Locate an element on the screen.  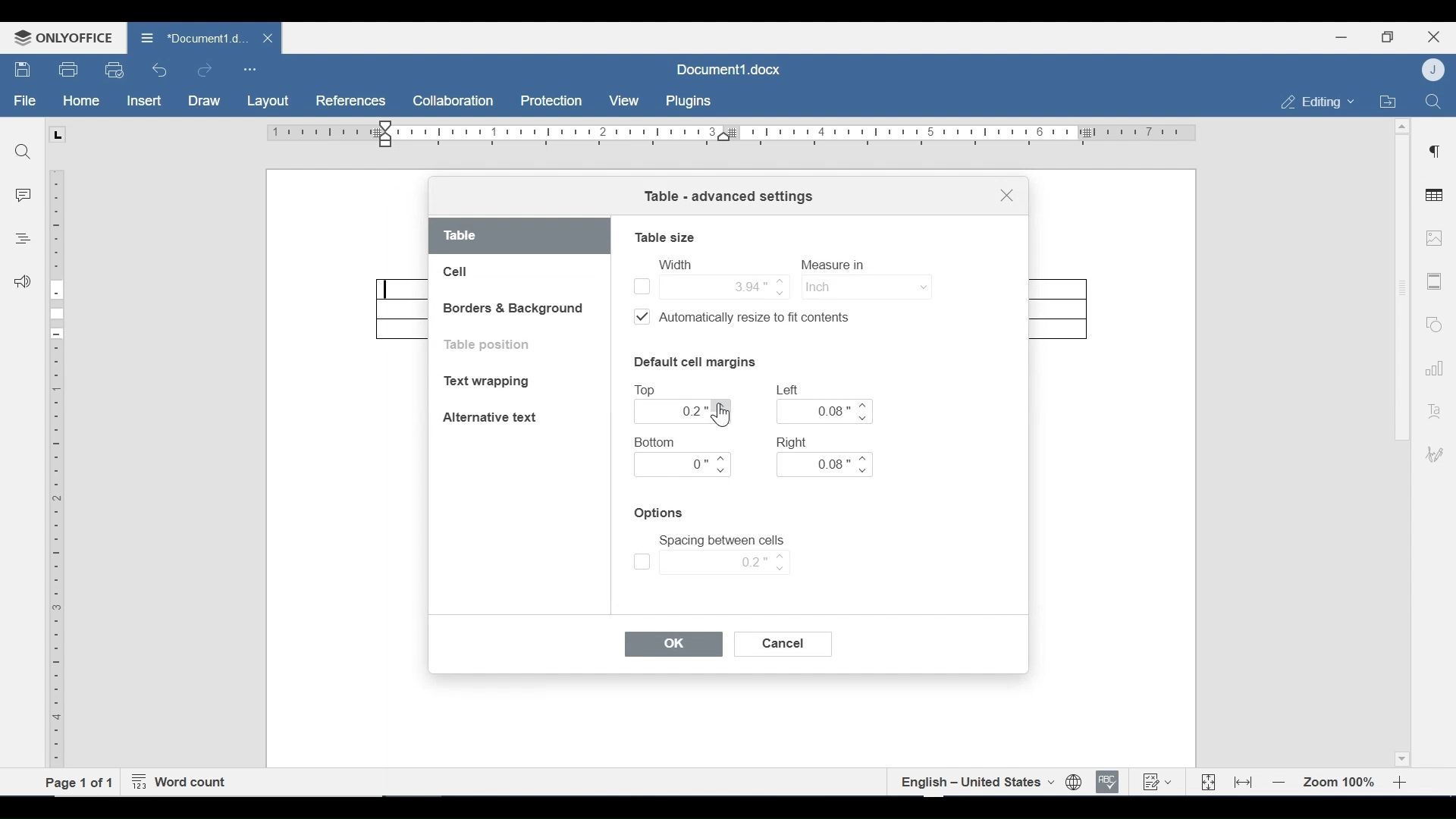
Spacing between cells is located at coordinates (722, 541).